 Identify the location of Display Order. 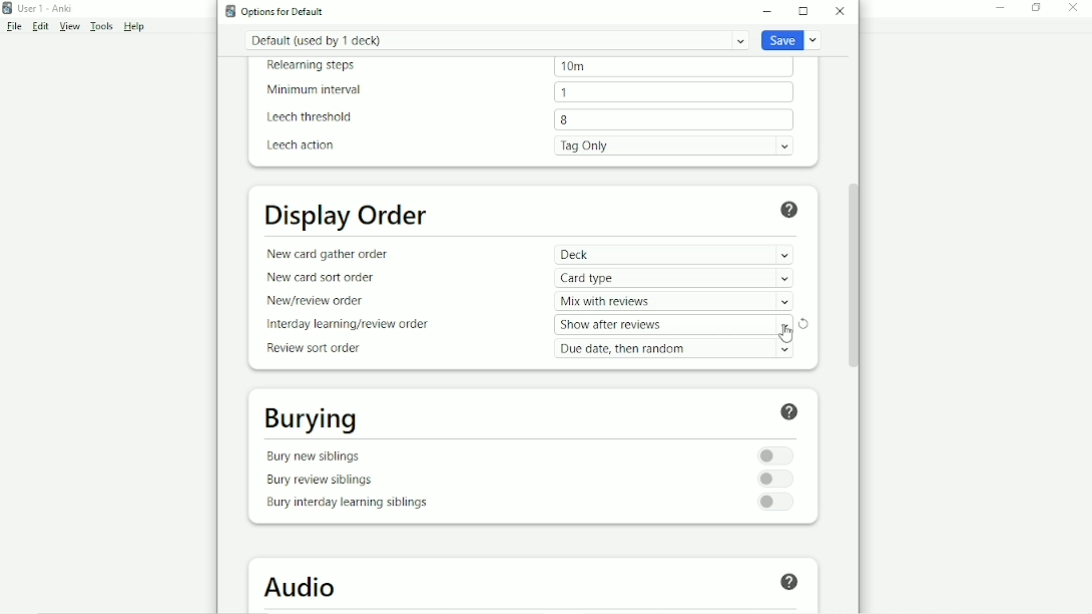
(347, 215).